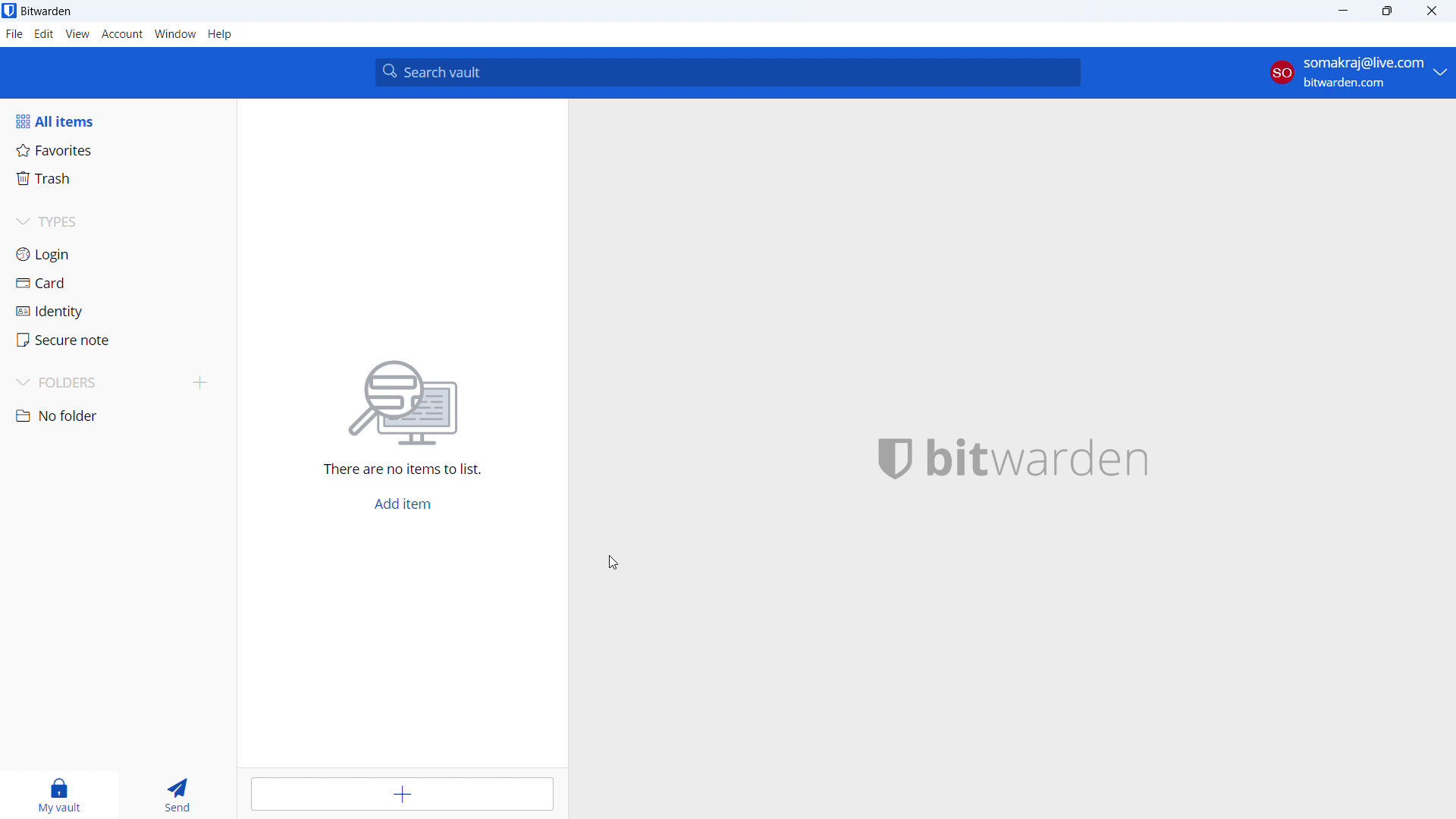  I want to click on search vault, so click(730, 71).